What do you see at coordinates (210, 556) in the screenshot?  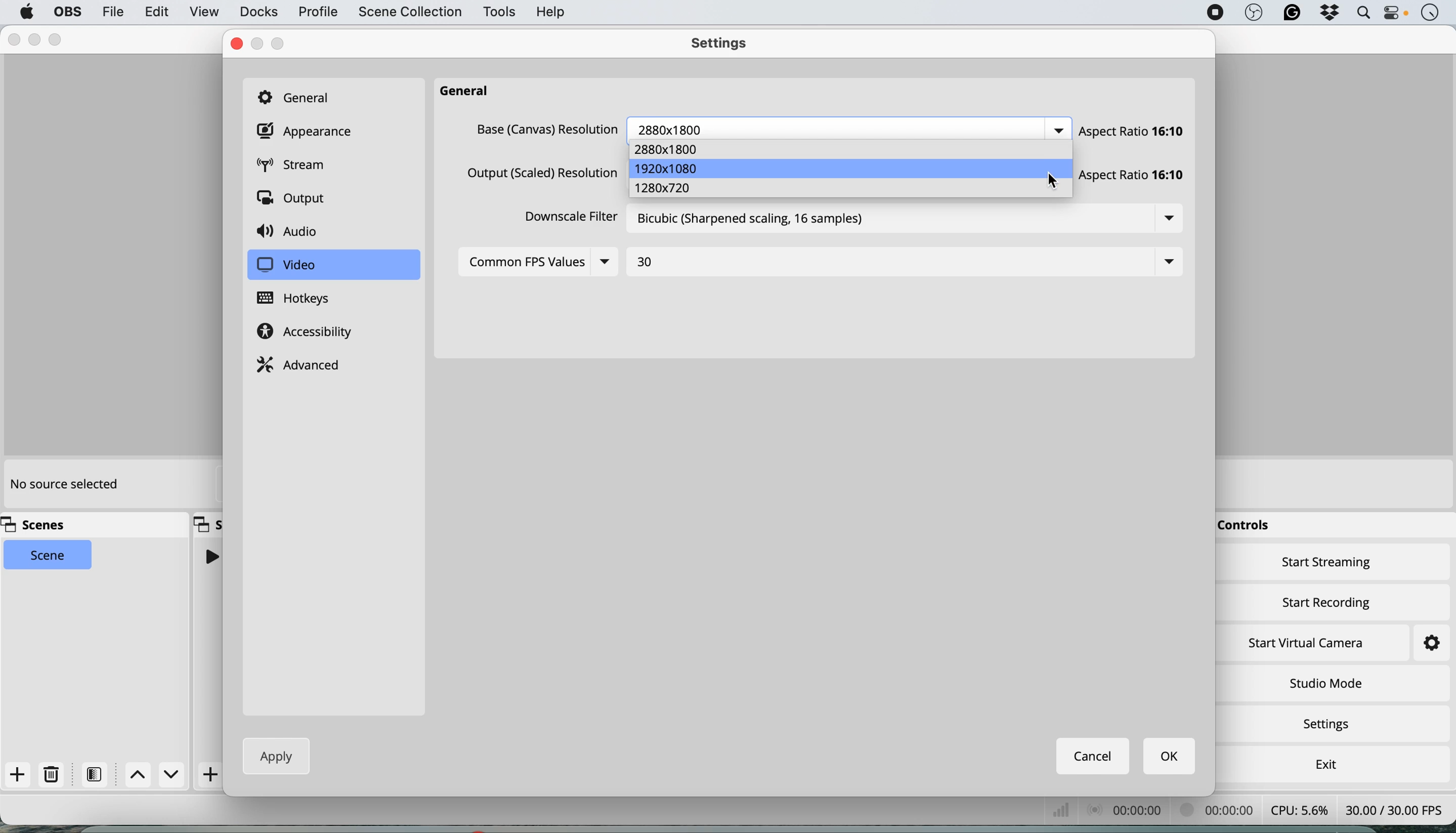 I see `Play ` at bounding box center [210, 556].